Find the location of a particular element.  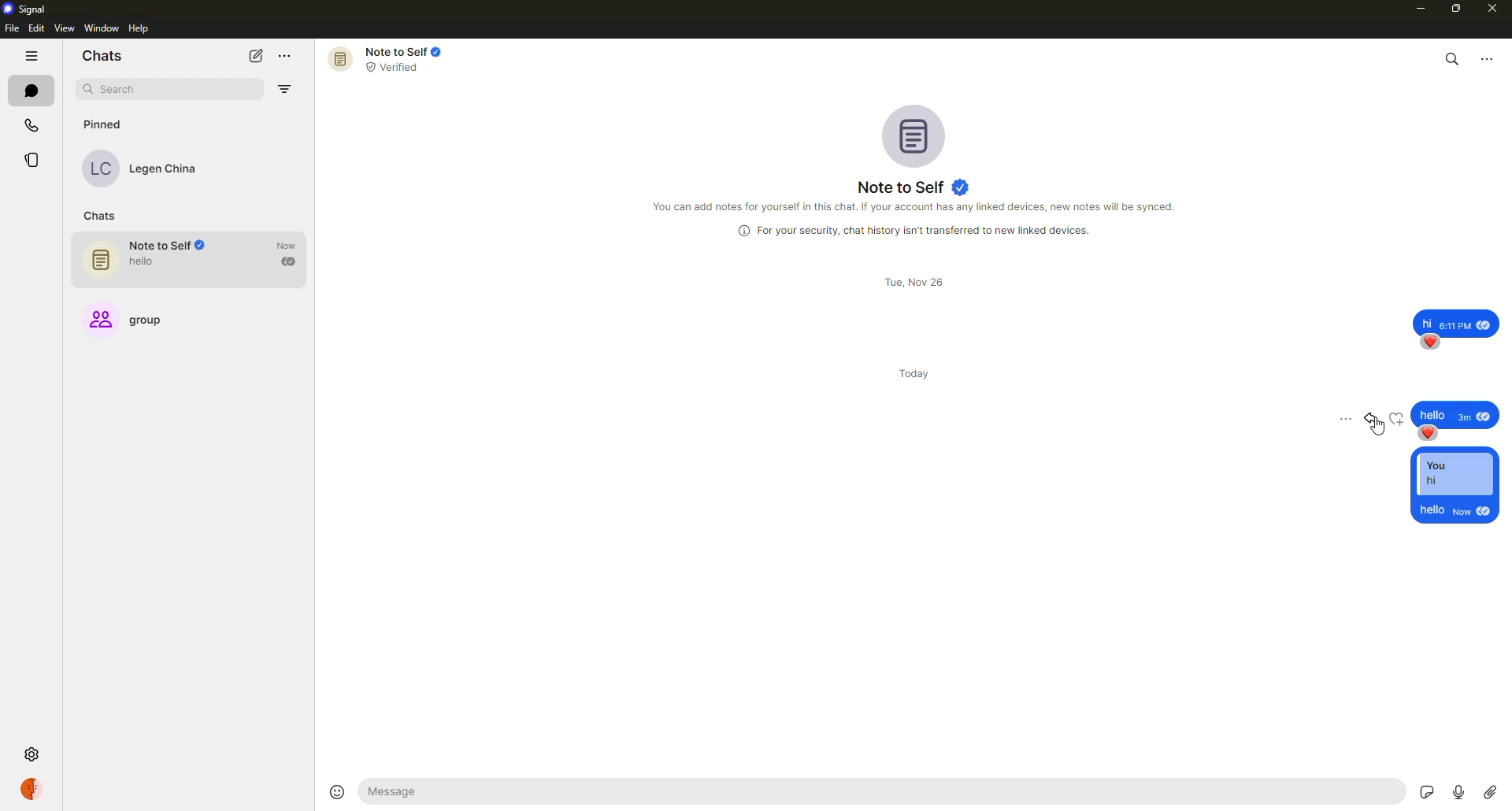

reaction is located at coordinates (1398, 423).